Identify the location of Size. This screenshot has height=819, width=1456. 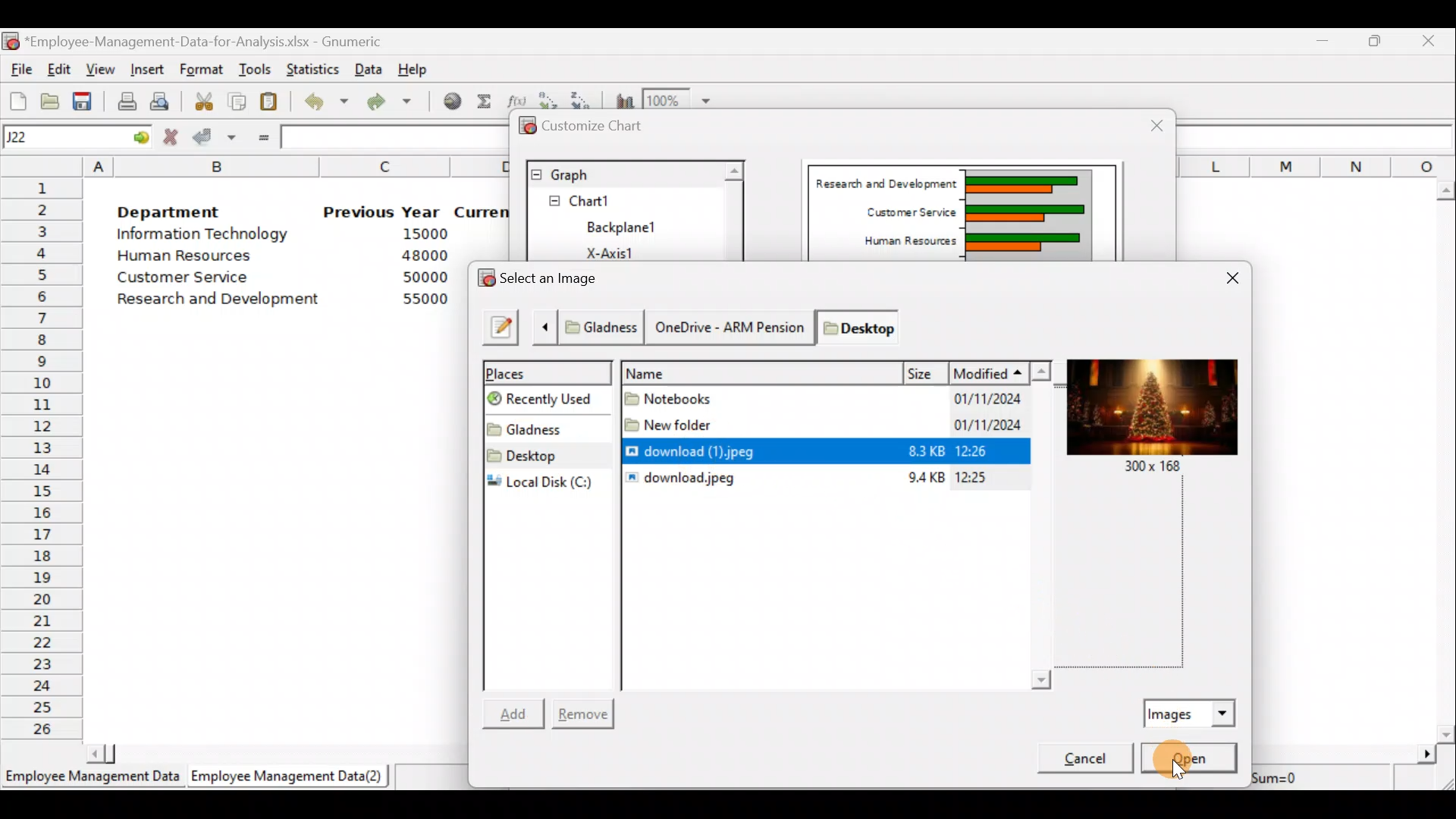
(927, 371).